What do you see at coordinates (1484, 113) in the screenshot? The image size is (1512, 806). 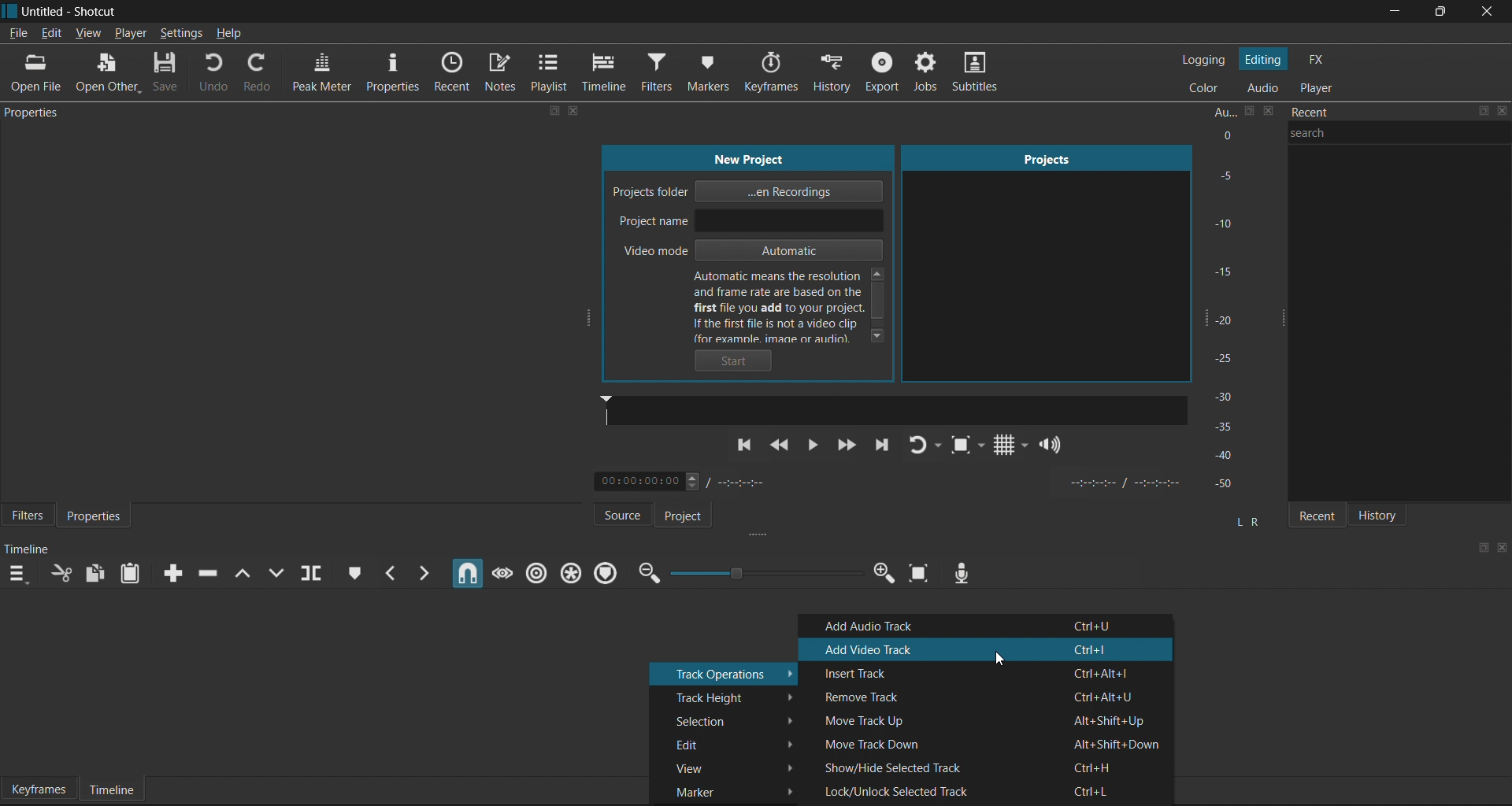 I see `maximize` at bounding box center [1484, 113].